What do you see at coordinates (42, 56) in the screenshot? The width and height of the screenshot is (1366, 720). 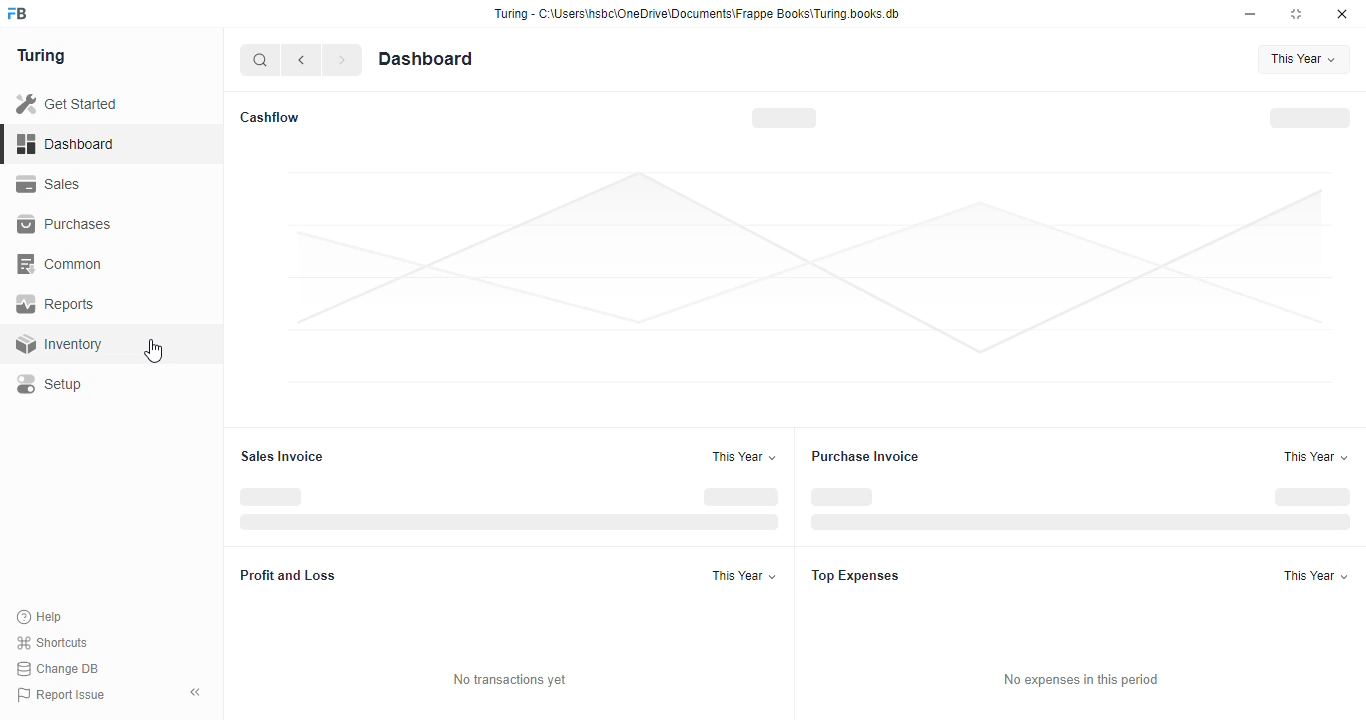 I see `turing` at bounding box center [42, 56].